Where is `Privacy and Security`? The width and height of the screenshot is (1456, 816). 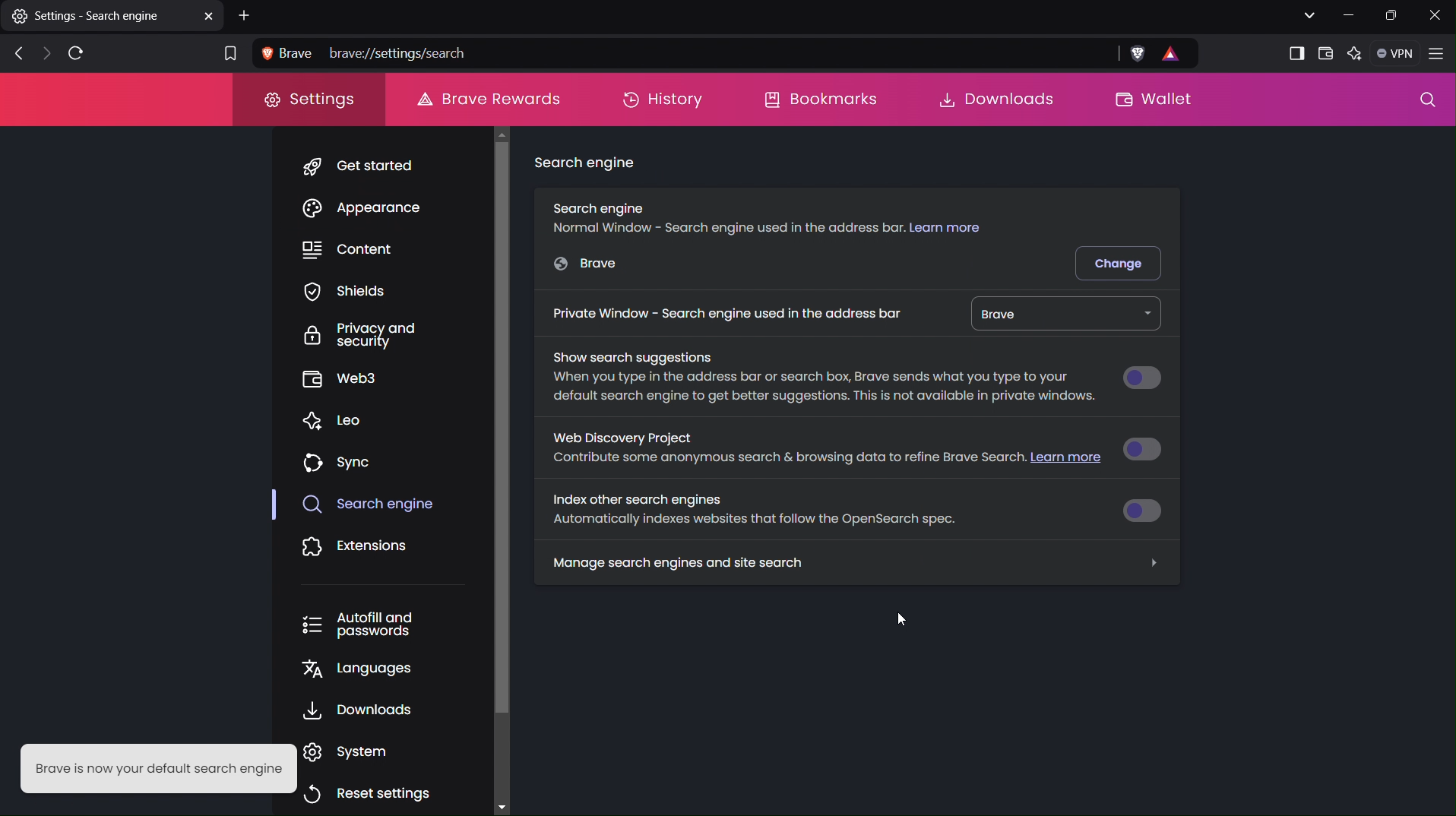
Privacy and Security is located at coordinates (347, 337).